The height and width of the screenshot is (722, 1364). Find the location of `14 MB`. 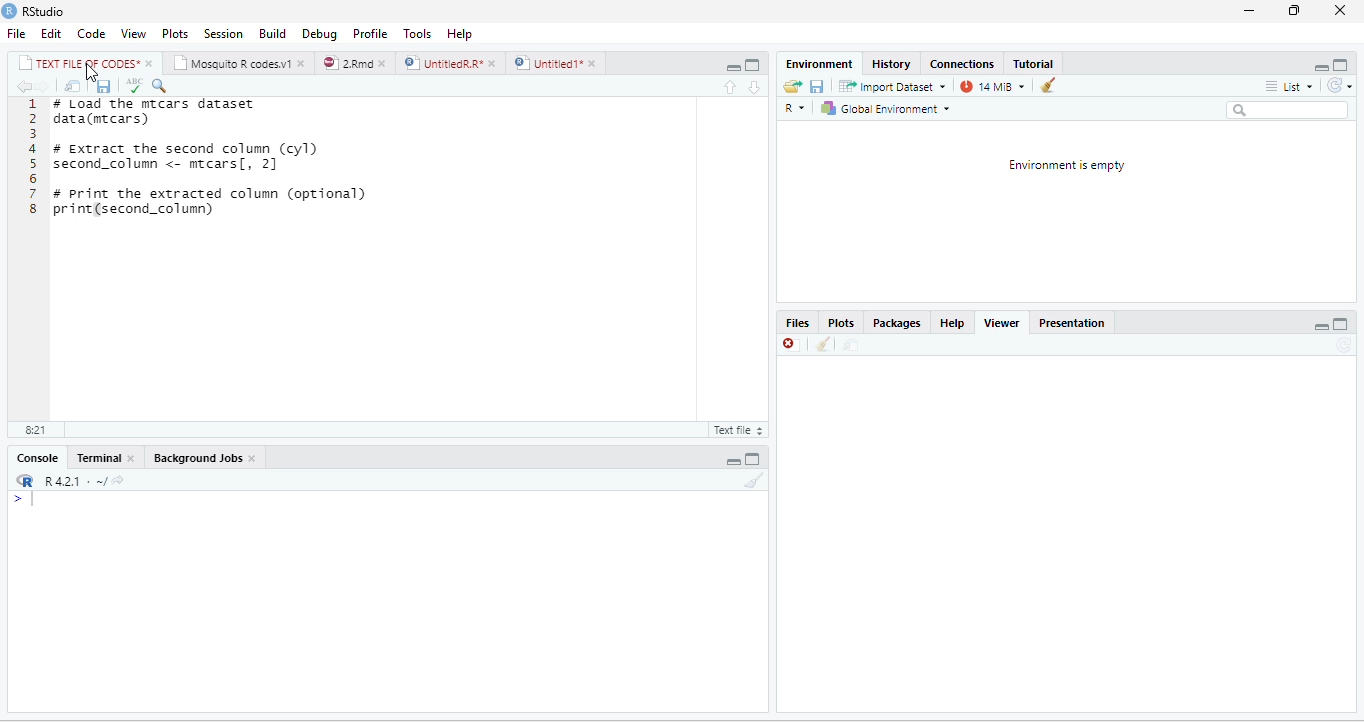

14 MB is located at coordinates (993, 86).